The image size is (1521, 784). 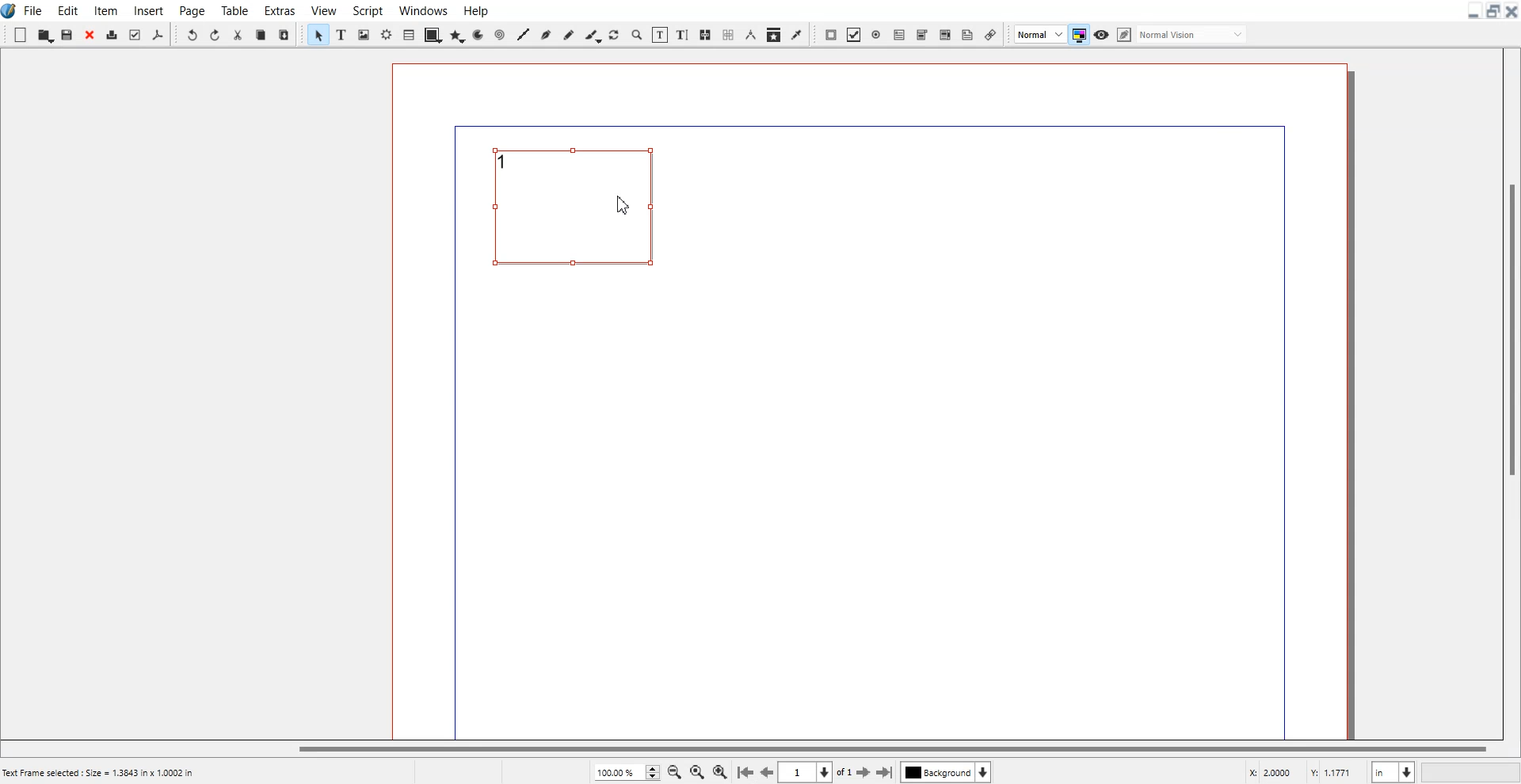 I want to click on Print, so click(x=113, y=34).